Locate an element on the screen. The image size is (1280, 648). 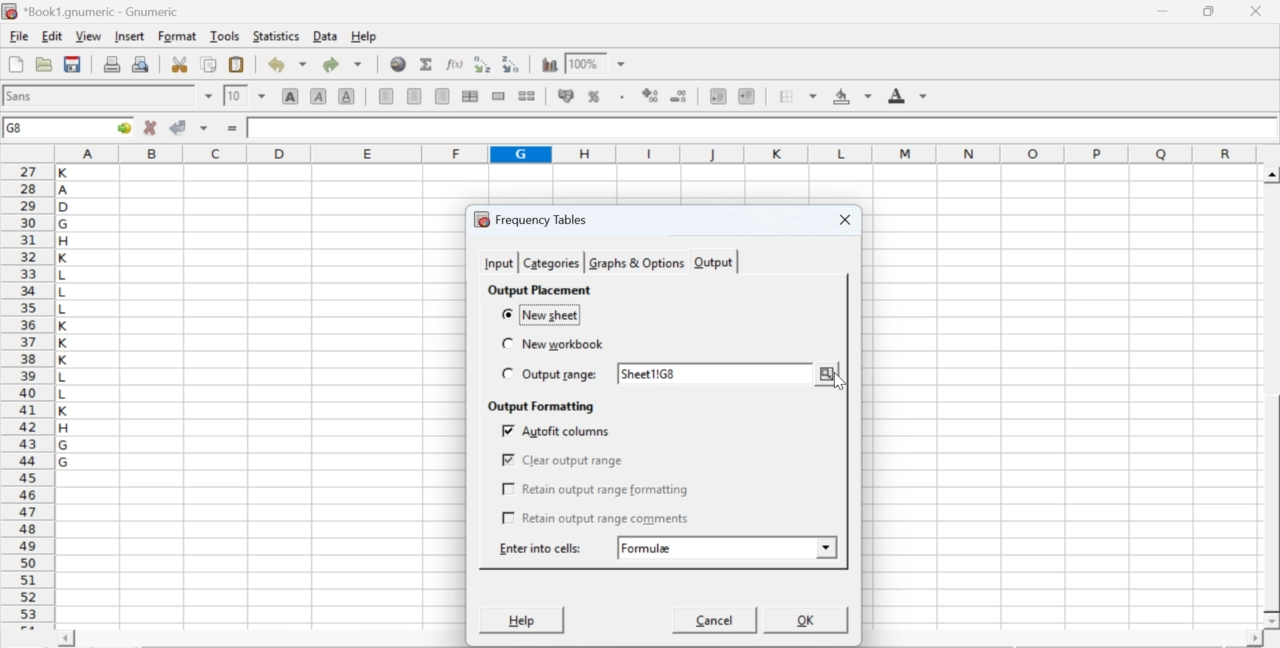
column names is located at coordinates (653, 153).